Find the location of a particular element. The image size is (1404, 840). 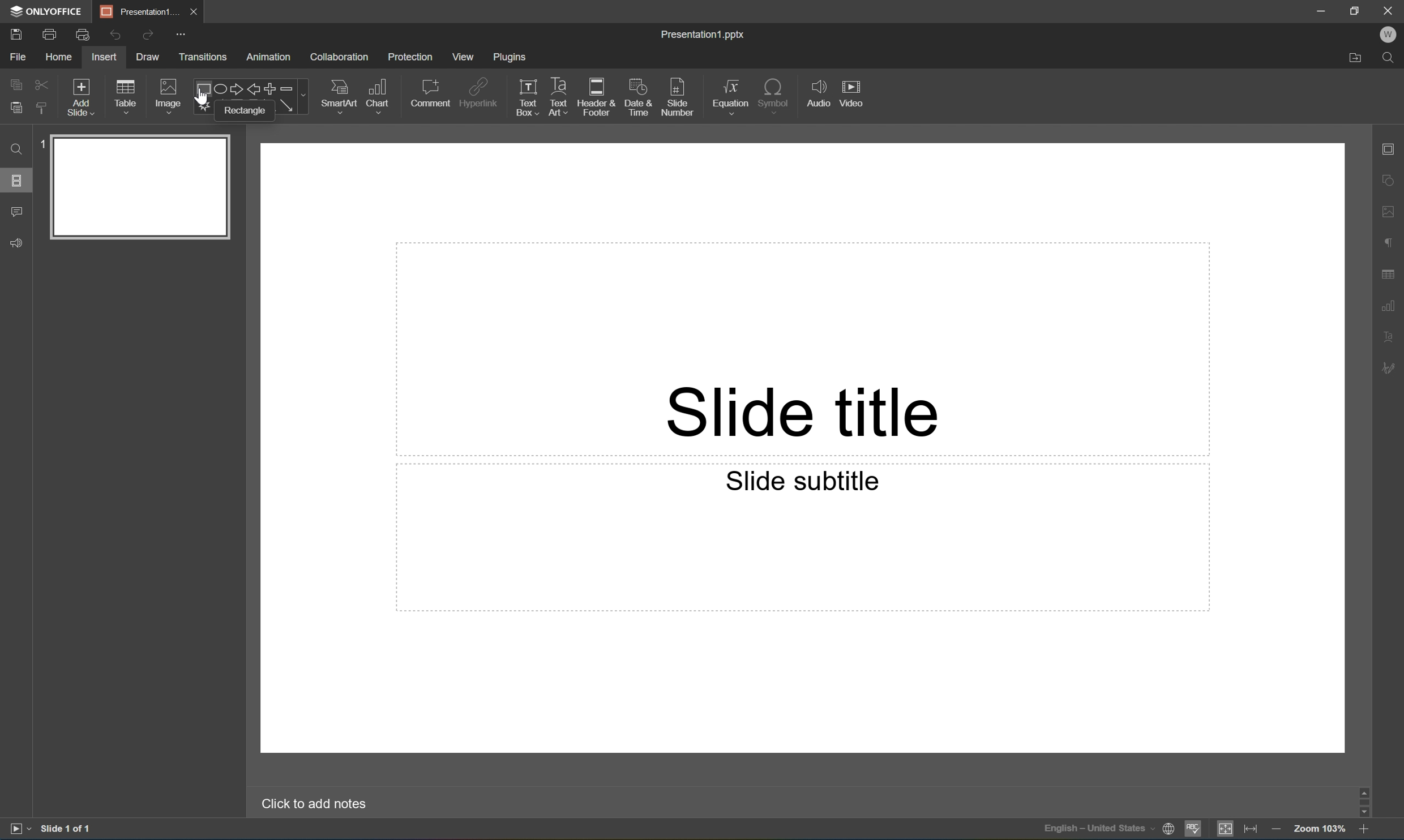

Rectangle is located at coordinates (244, 110).